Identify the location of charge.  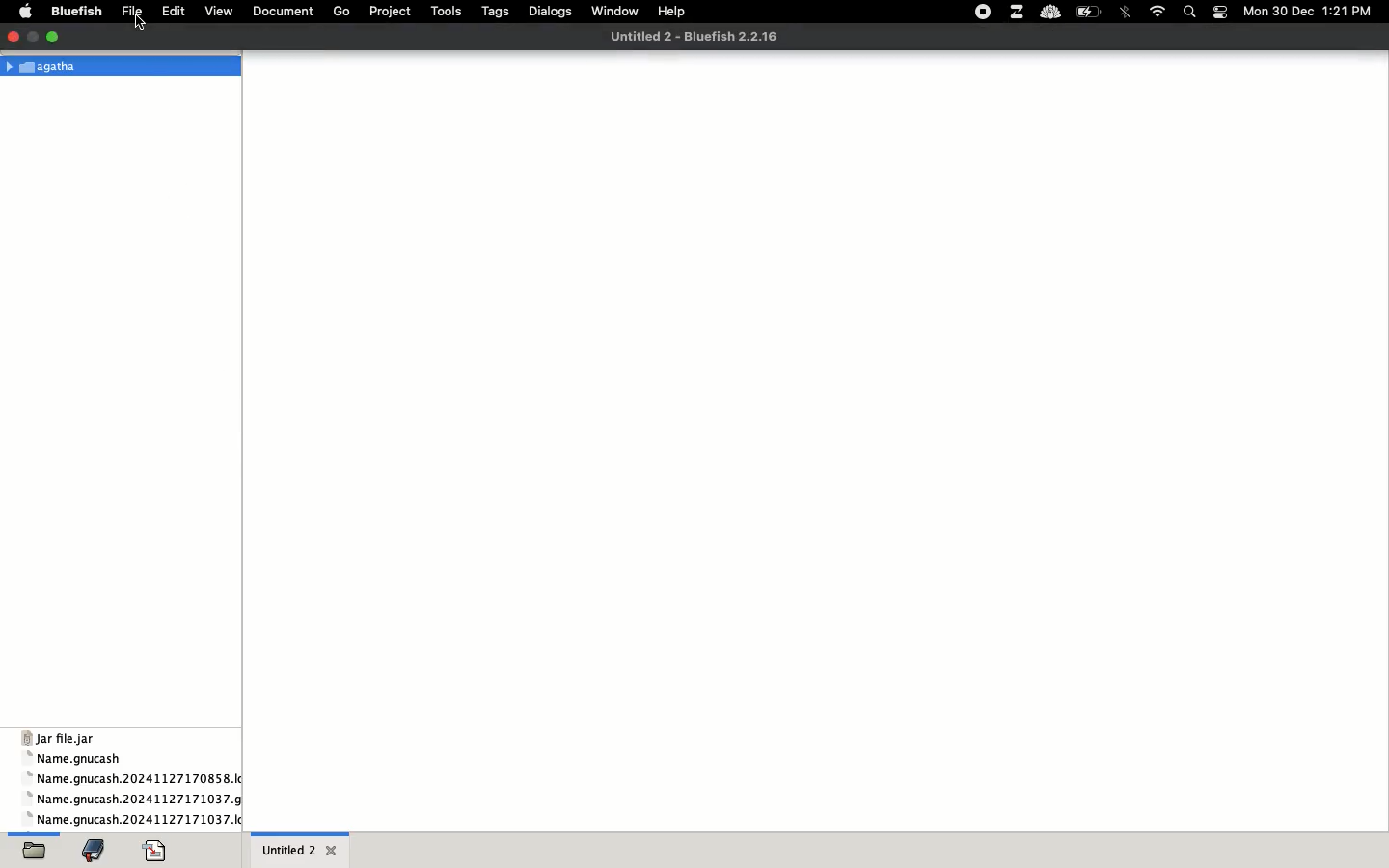
(1090, 12).